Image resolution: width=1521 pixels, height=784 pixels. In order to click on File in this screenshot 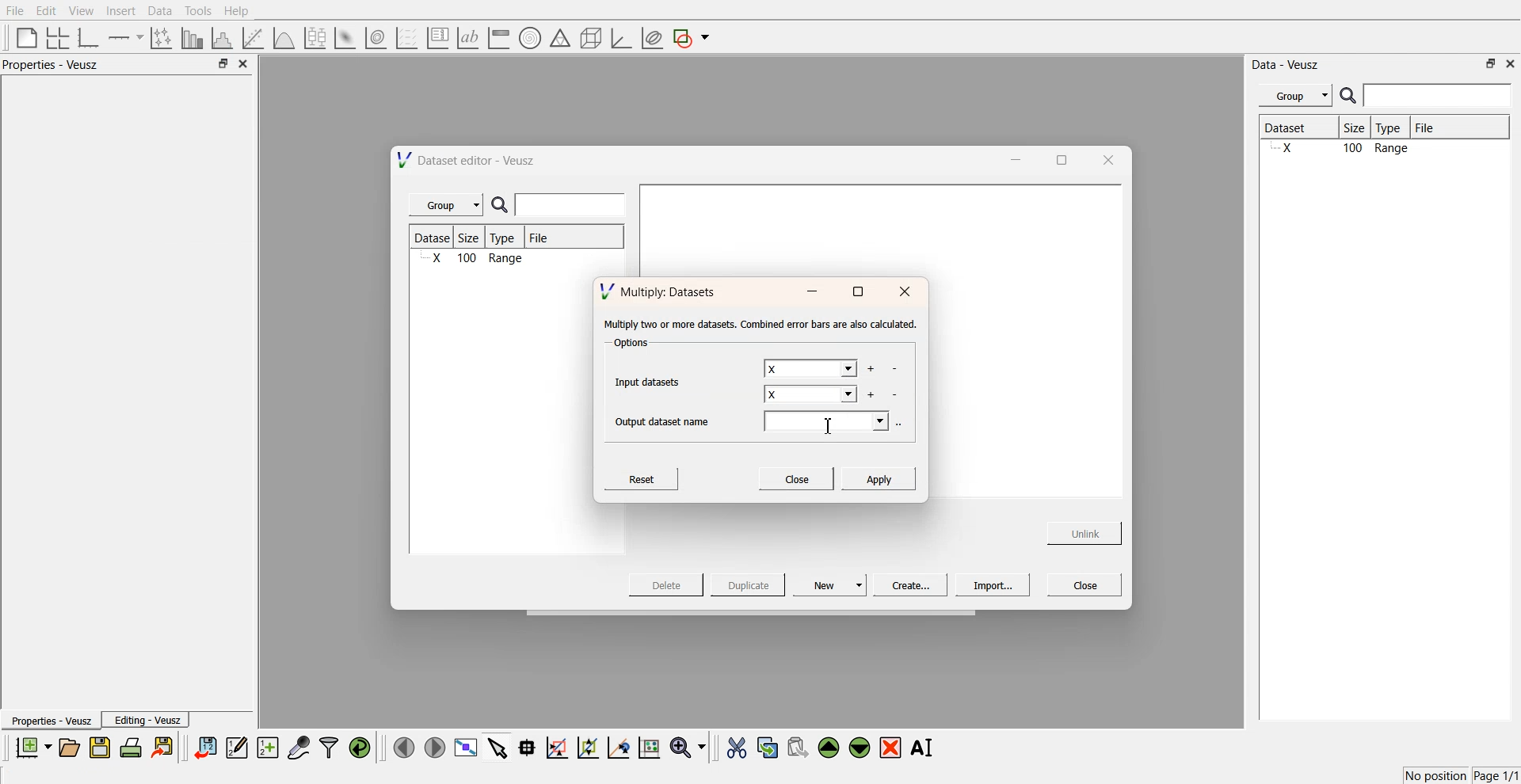, I will do `click(16, 11)`.